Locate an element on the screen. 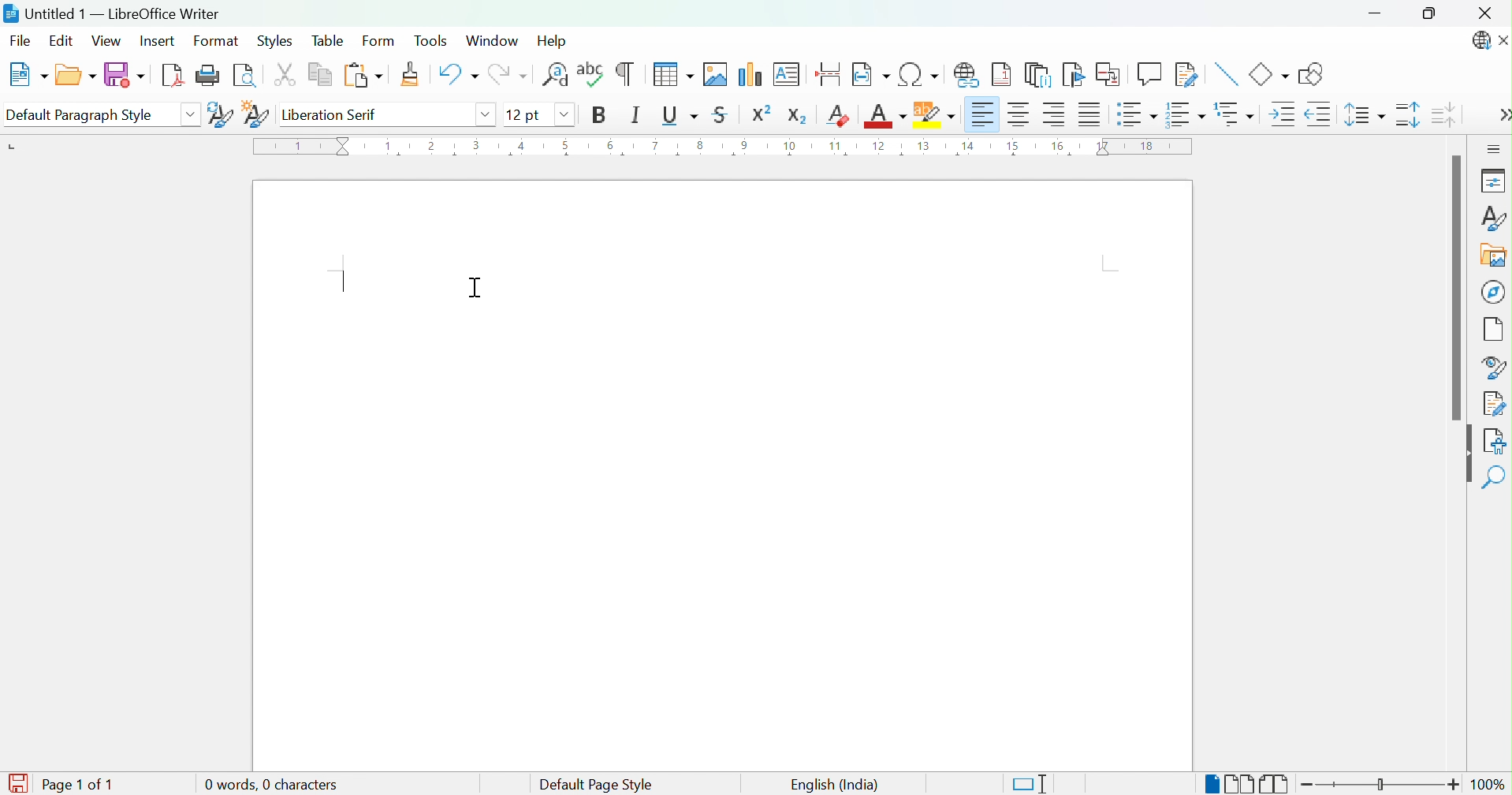  Edit is located at coordinates (61, 41).